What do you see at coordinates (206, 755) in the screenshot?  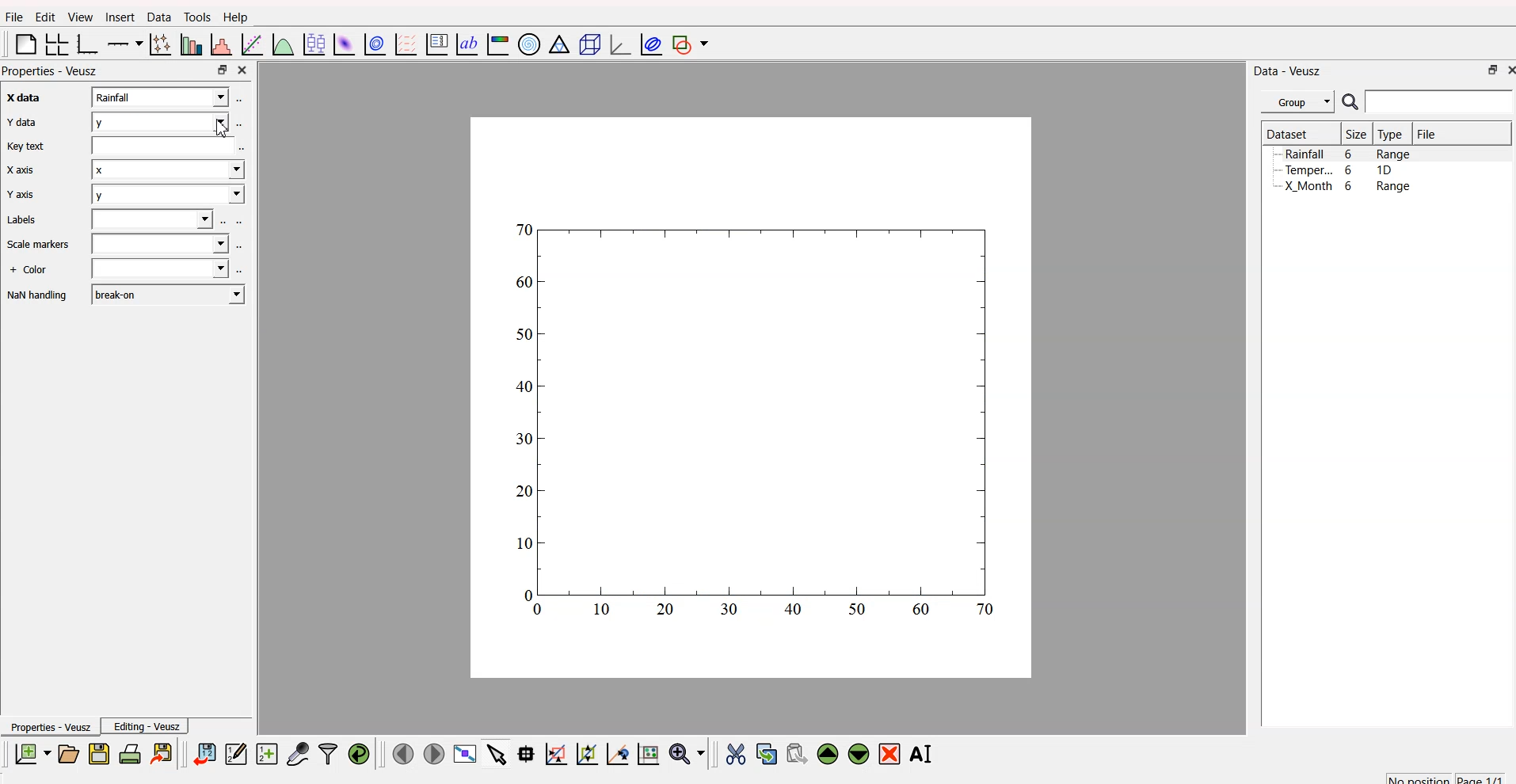 I see `import data` at bounding box center [206, 755].